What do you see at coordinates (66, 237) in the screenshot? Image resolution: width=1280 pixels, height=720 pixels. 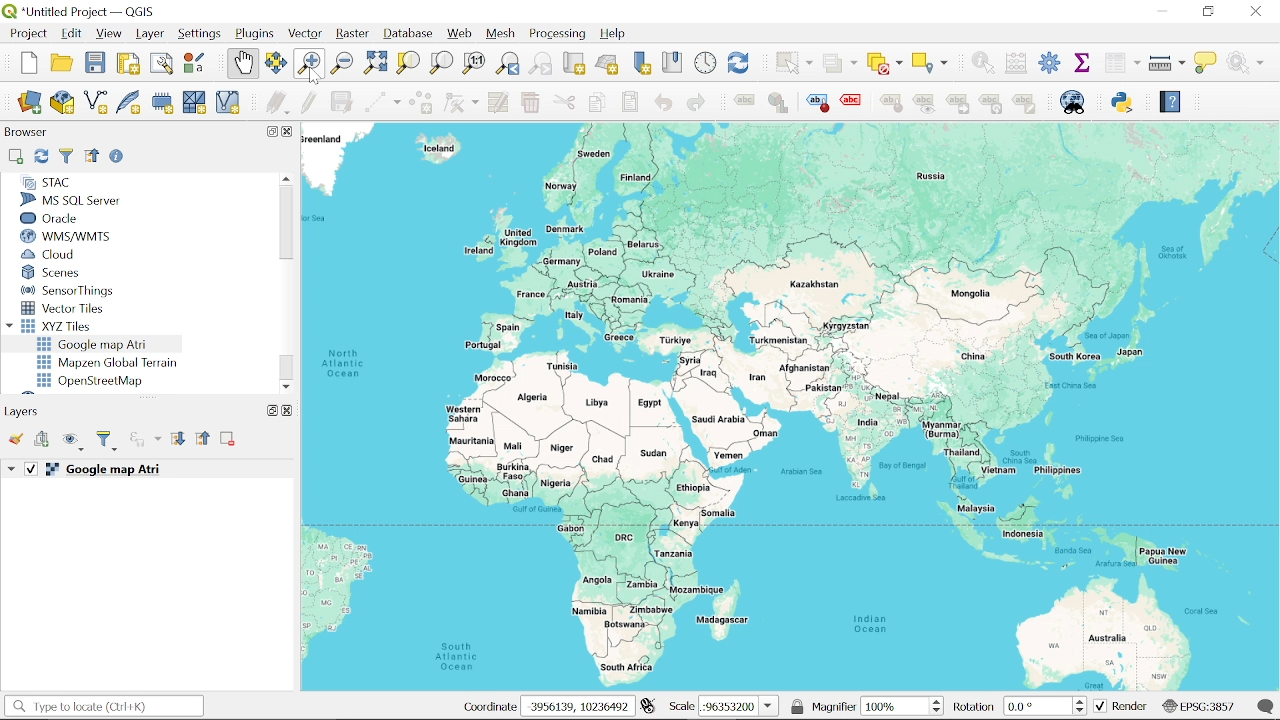 I see `WMS/WMTS` at bounding box center [66, 237].